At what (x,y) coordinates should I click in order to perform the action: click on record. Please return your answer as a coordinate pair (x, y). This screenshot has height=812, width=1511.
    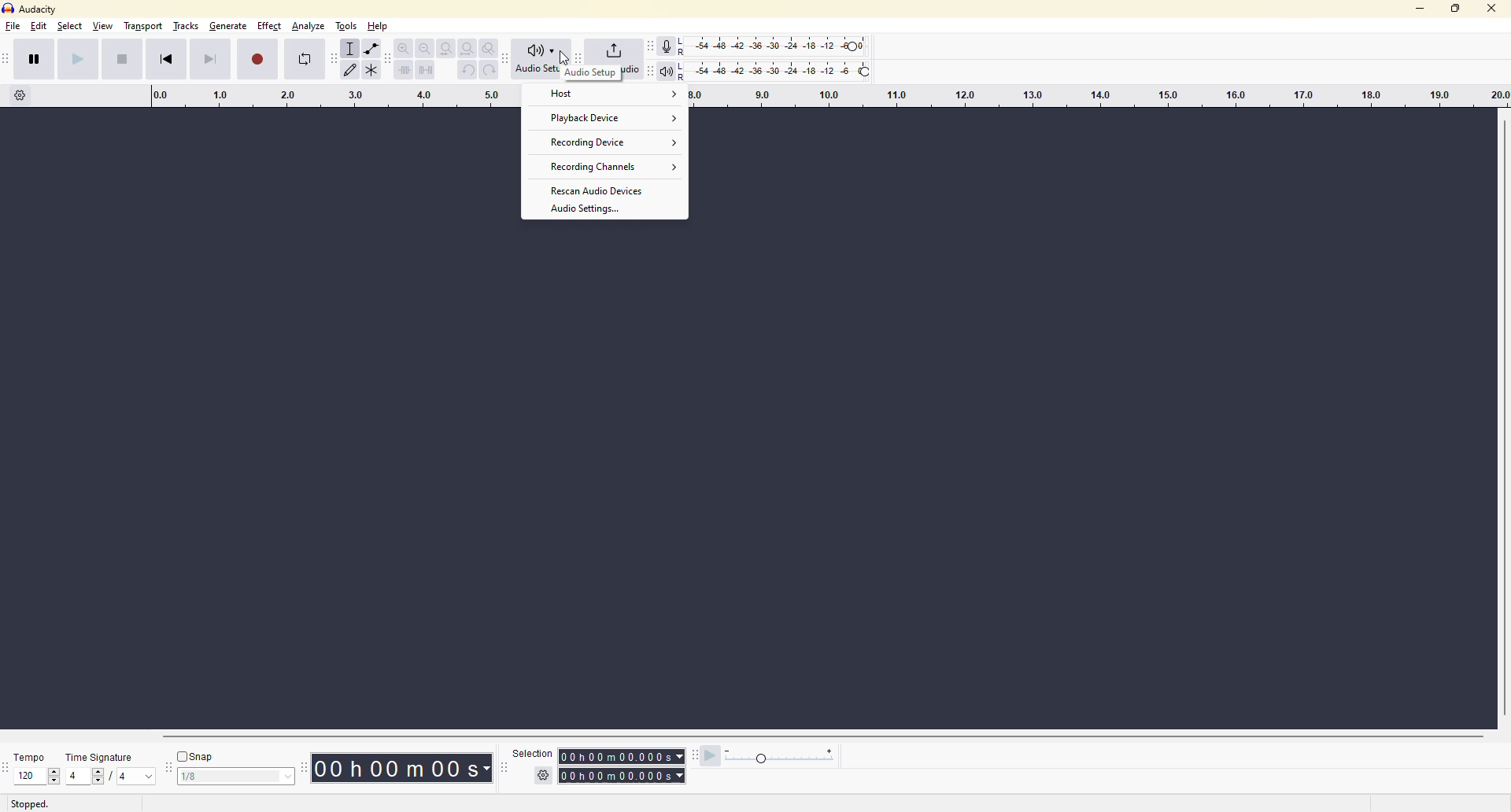
    Looking at the image, I should click on (257, 58).